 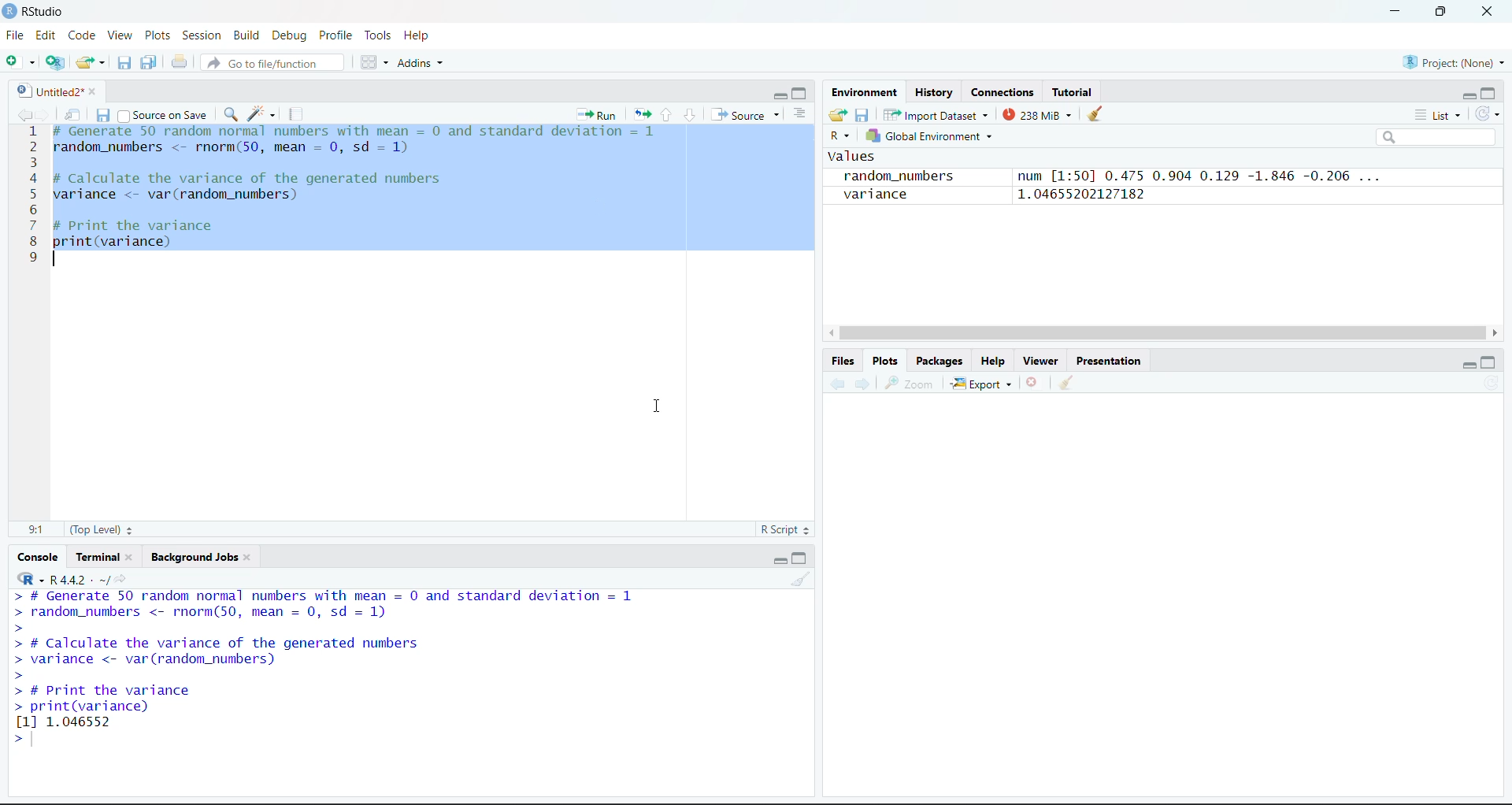 I want to click on # Generate 50 random normal numbers with mean = 0 and standard deviation = 1 random_numbers <- rnorm(50, mean = 0, sd = 1), so click(x=362, y=142).